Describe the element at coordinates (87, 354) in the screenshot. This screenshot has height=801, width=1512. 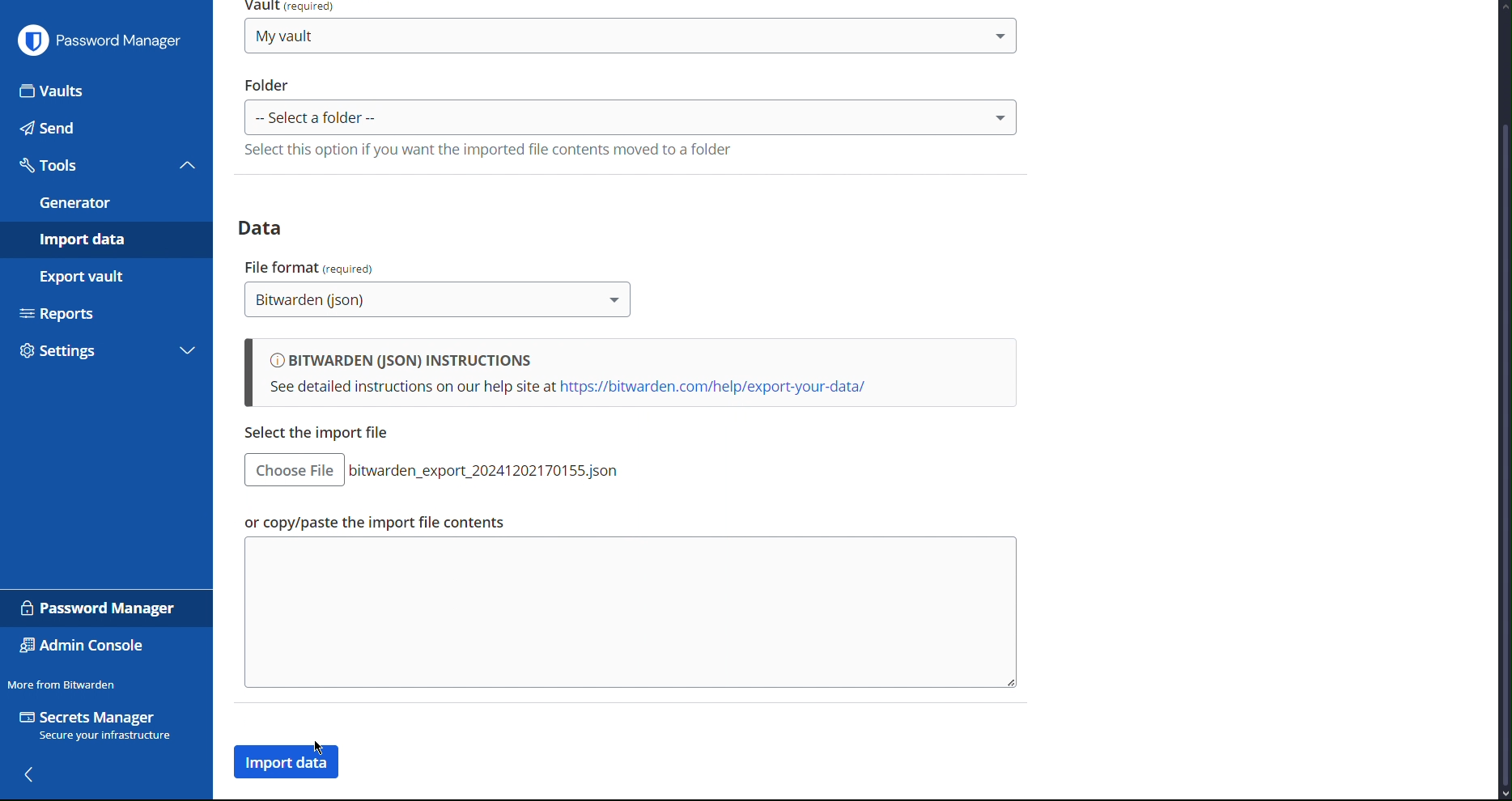
I see `Settings` at that location.